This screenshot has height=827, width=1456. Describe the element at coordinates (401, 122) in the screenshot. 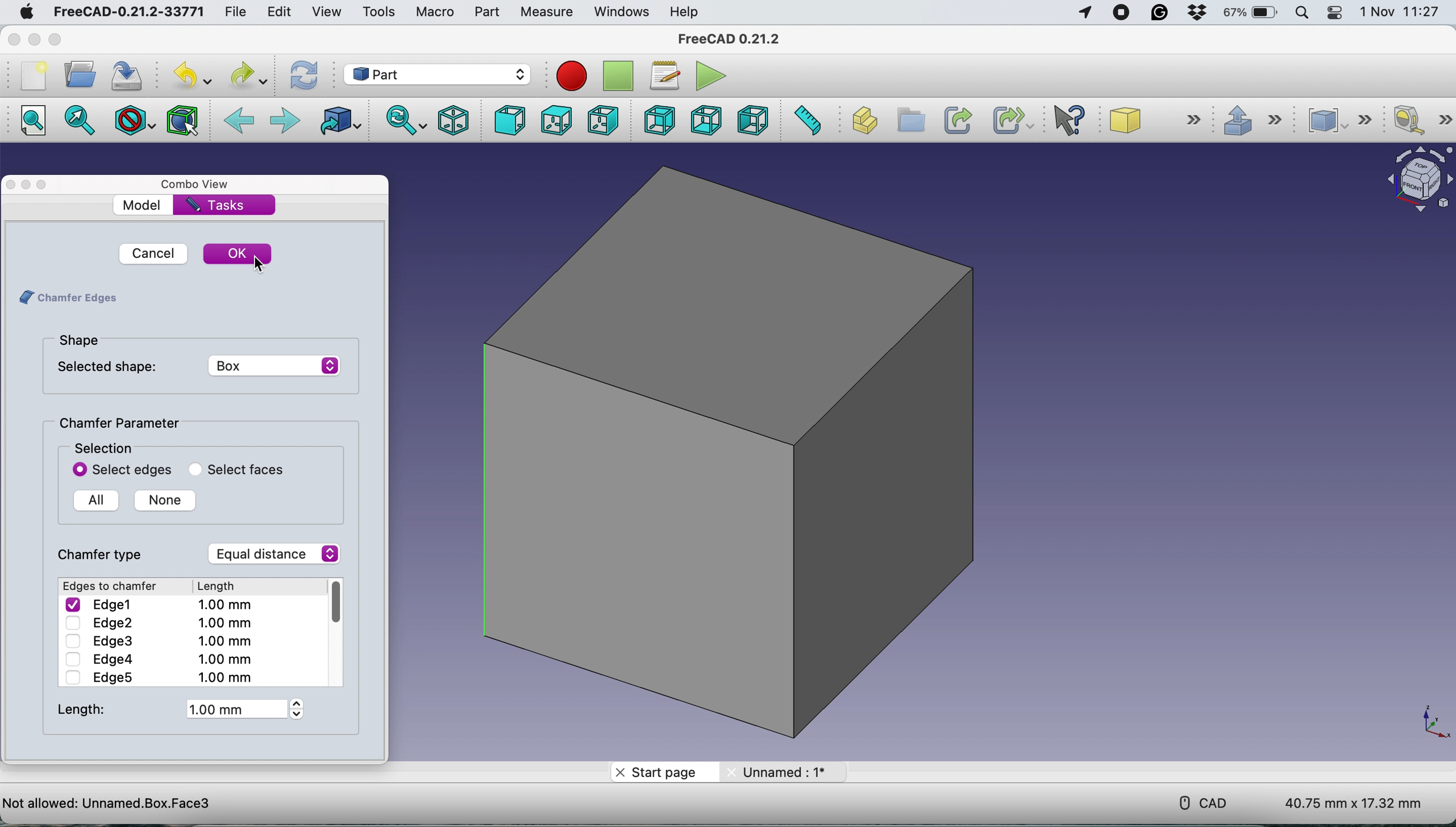

I see `sync view` at that location.